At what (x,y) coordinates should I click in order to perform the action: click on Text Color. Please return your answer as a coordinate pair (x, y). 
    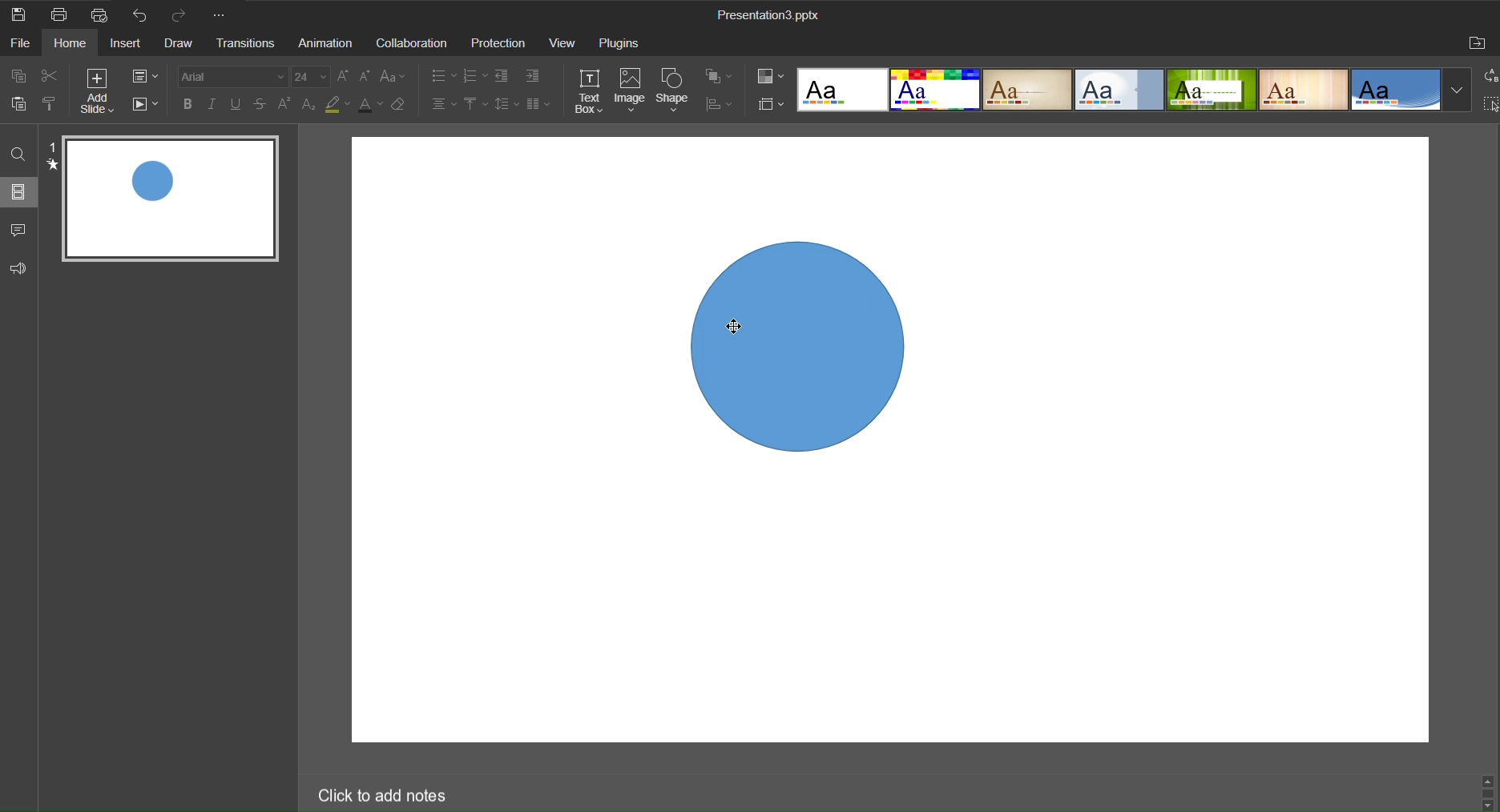
    Looking at the image, I should click on (370, 106).